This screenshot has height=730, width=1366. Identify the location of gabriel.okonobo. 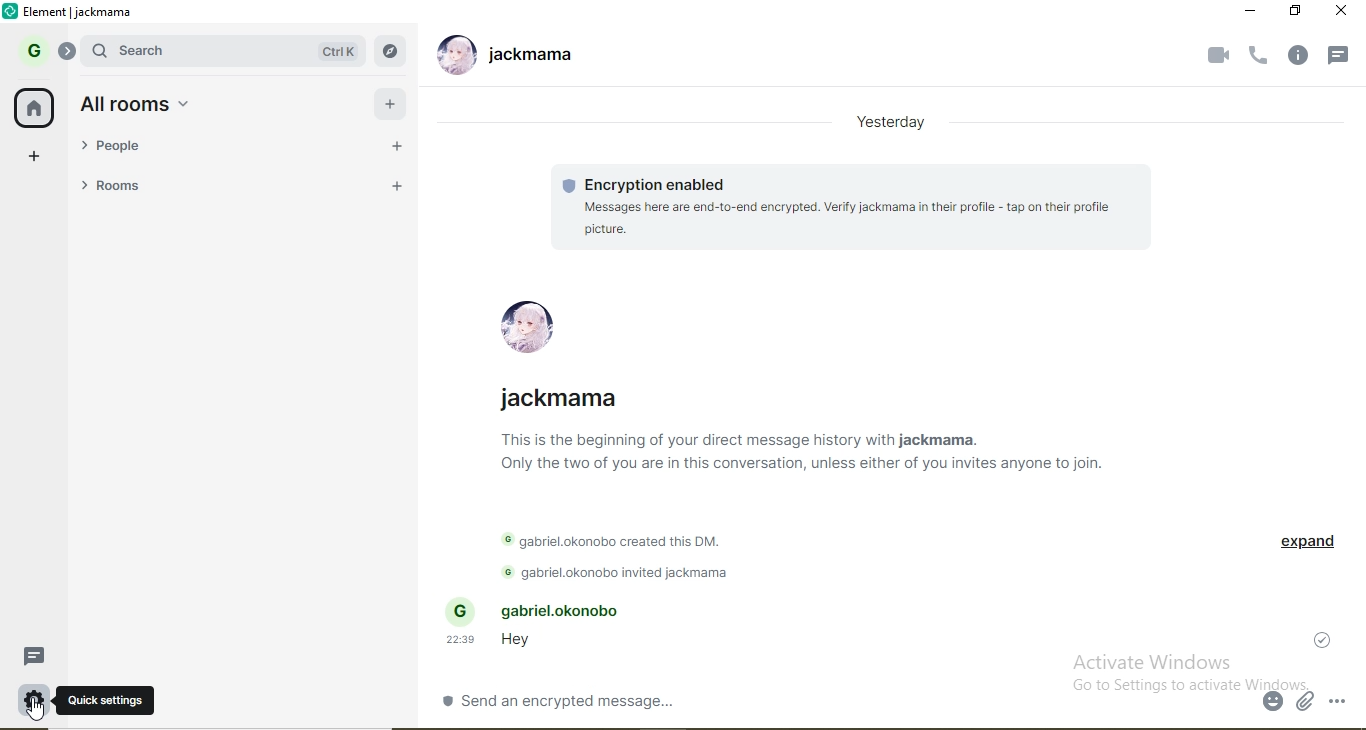
(546, 610).